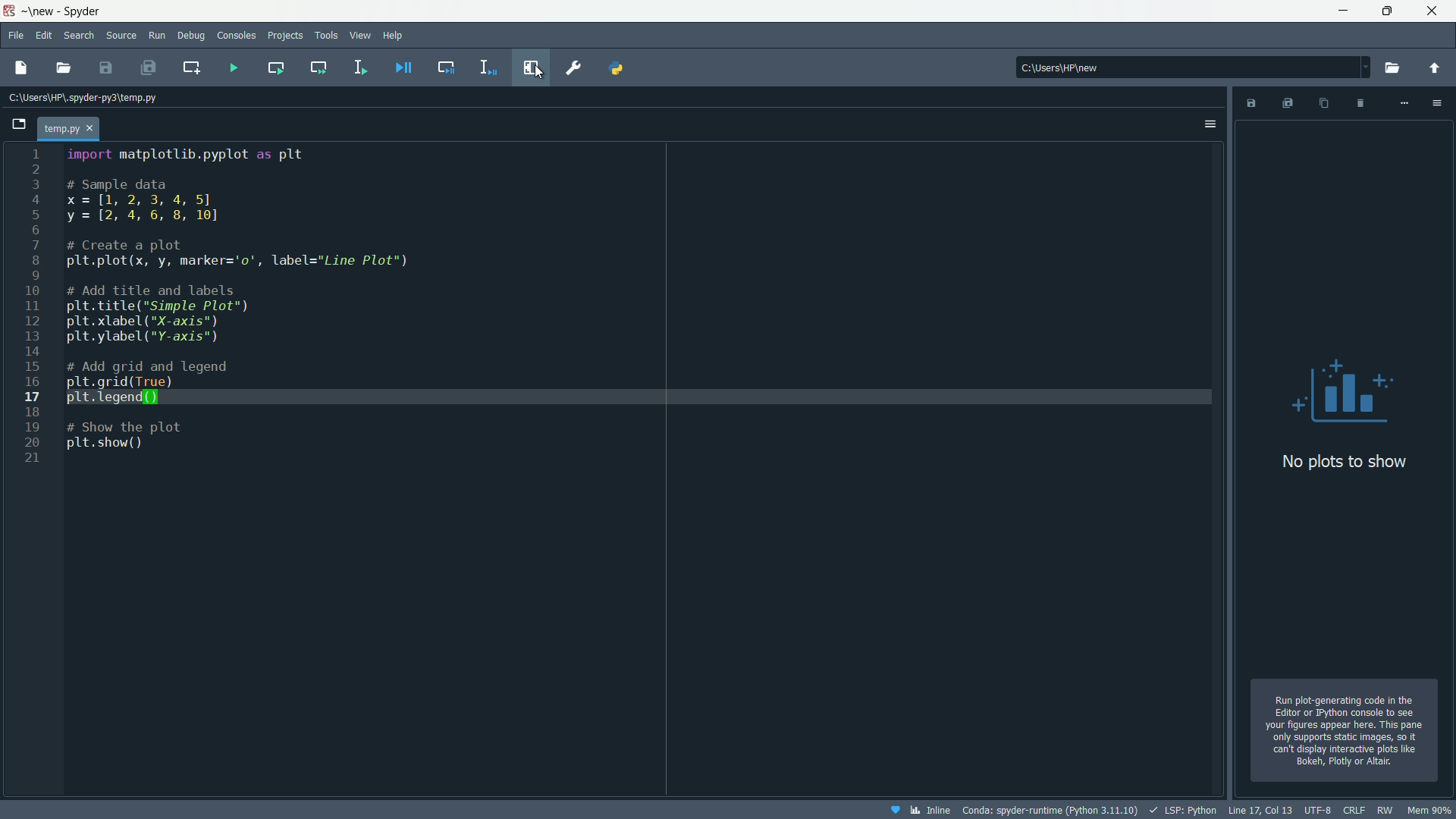 The image size is (1456, 819). Describe the element at coordinates (15, 35) in the screenshot. I see `file` at that location.